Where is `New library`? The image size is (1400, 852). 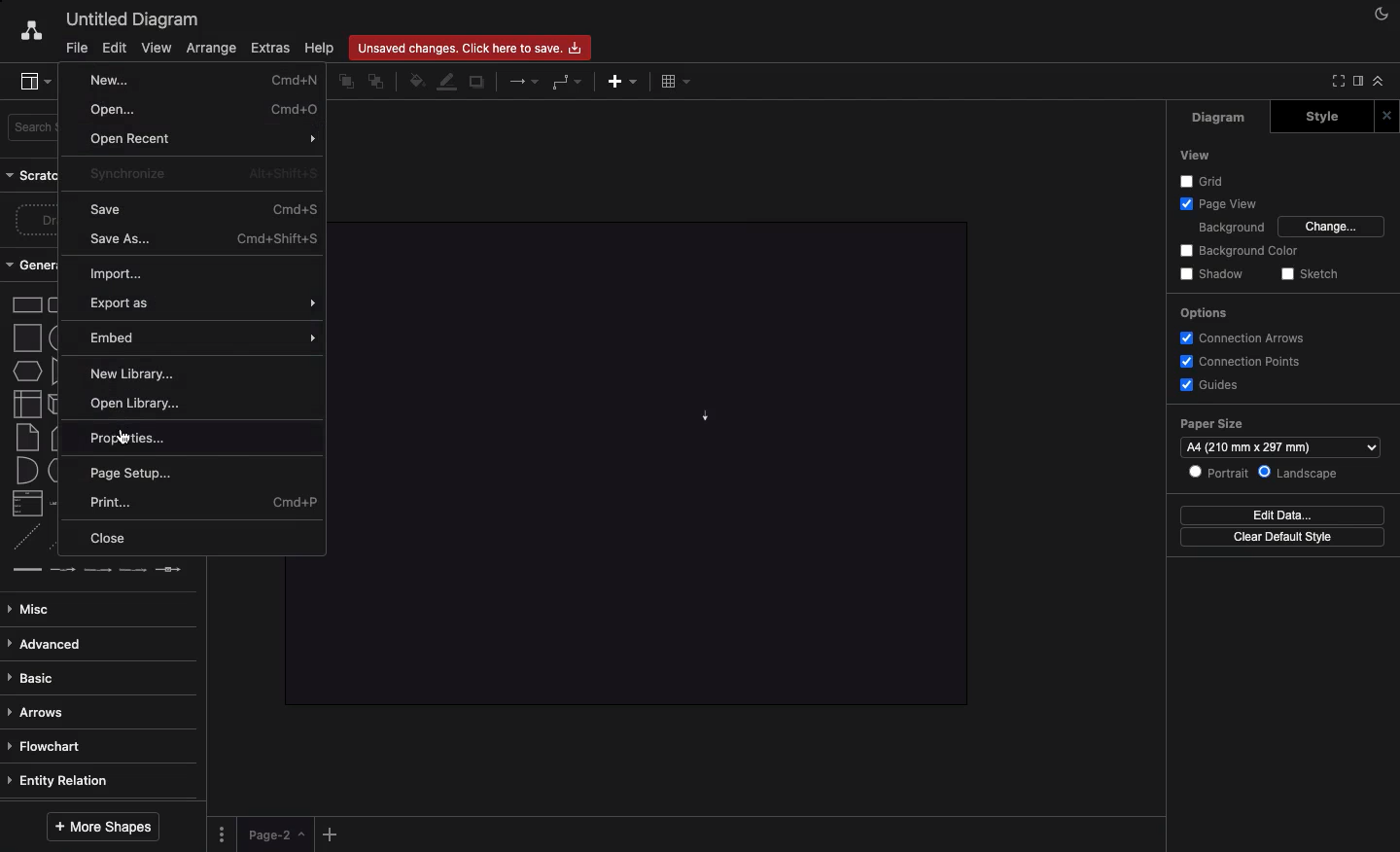
New library is located at coordinates (131, 373).